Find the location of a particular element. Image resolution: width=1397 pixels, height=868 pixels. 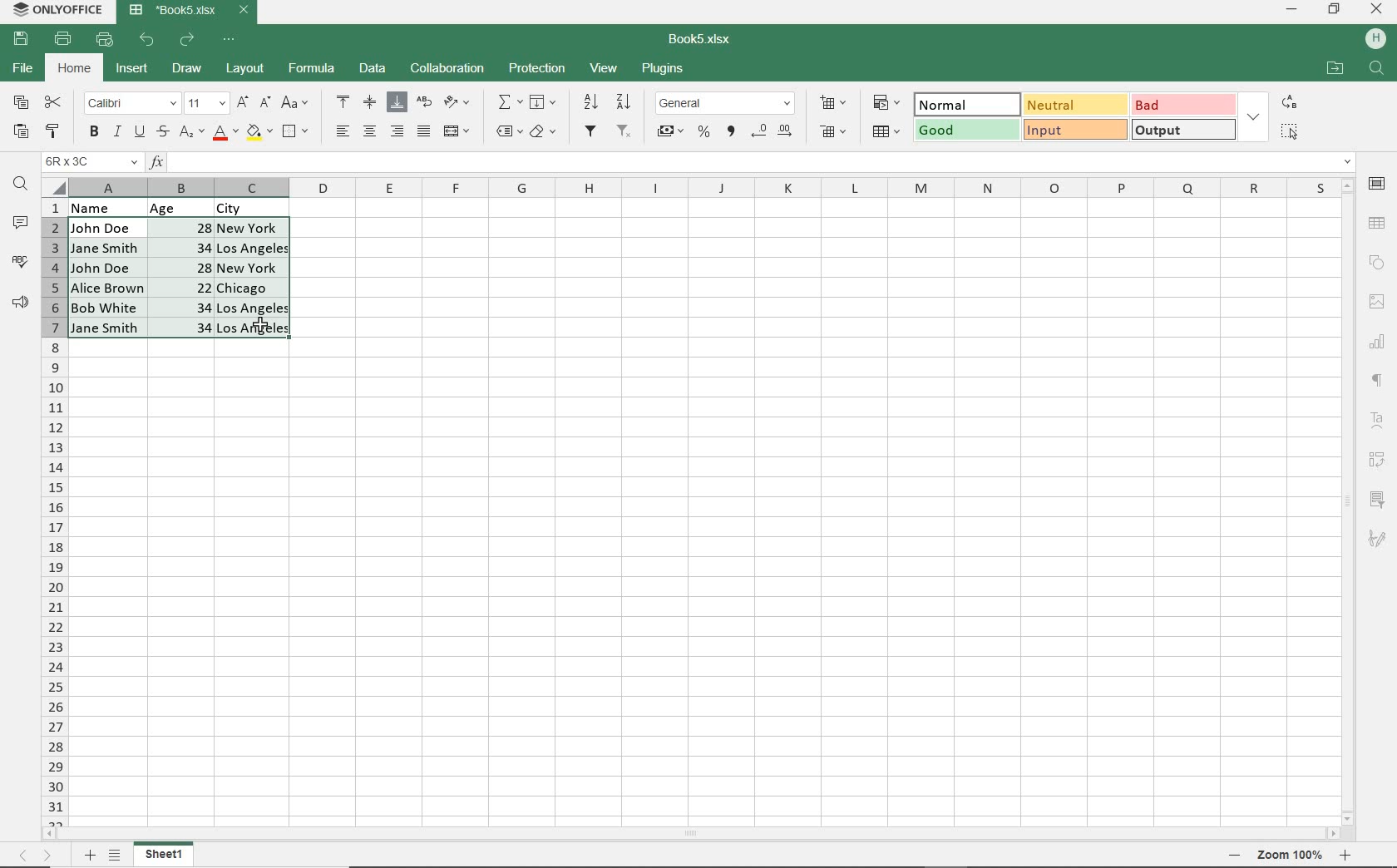

CUT is located at coordinates (54, 102).